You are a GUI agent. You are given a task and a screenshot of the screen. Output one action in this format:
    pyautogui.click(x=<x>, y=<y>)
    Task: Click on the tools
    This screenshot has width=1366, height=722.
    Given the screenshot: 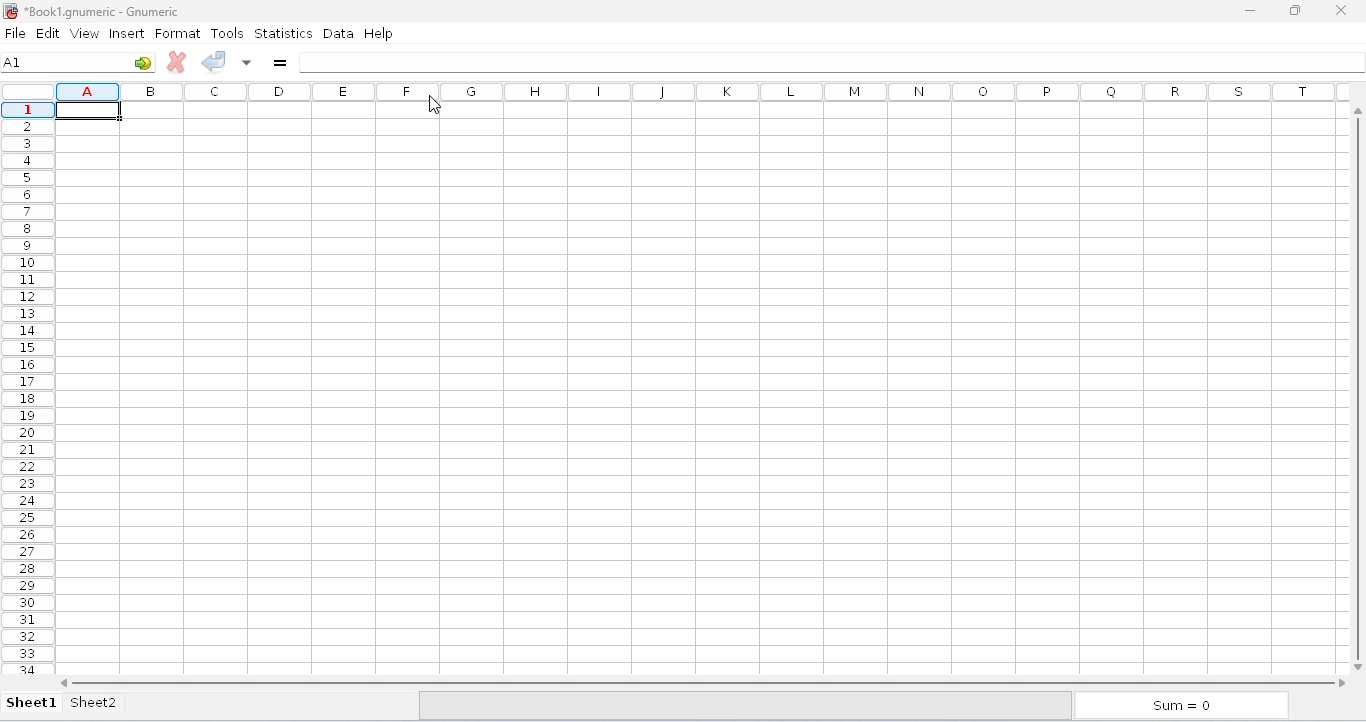 What is the action you would take?
    pyautogui.click(x=227, y=34)
    